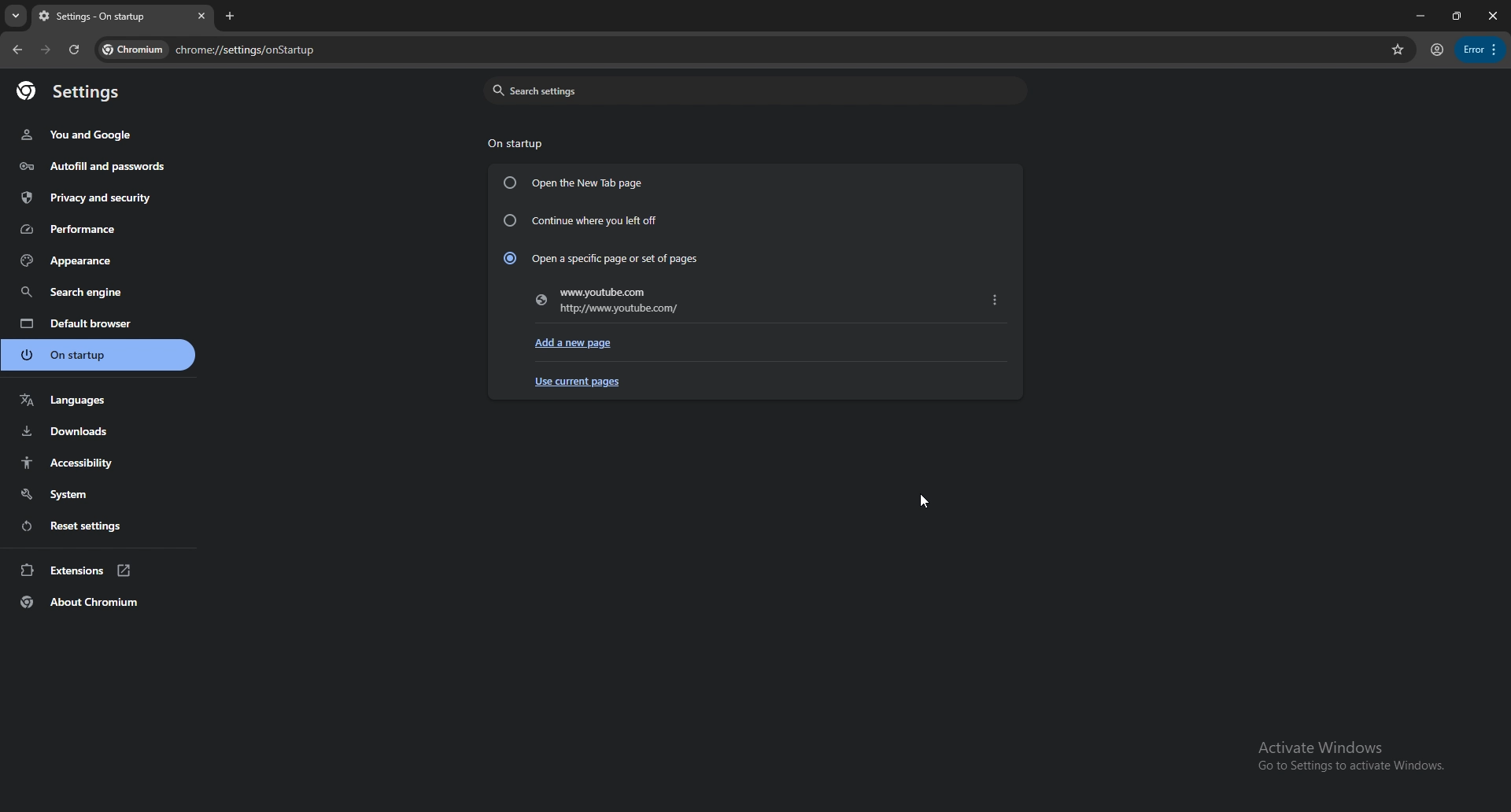 This screenshot has height=812, width=1511. What do you see at coordinates (98, 323) in the screenshot?
I see `default browser` at bounding box center [98, 323].